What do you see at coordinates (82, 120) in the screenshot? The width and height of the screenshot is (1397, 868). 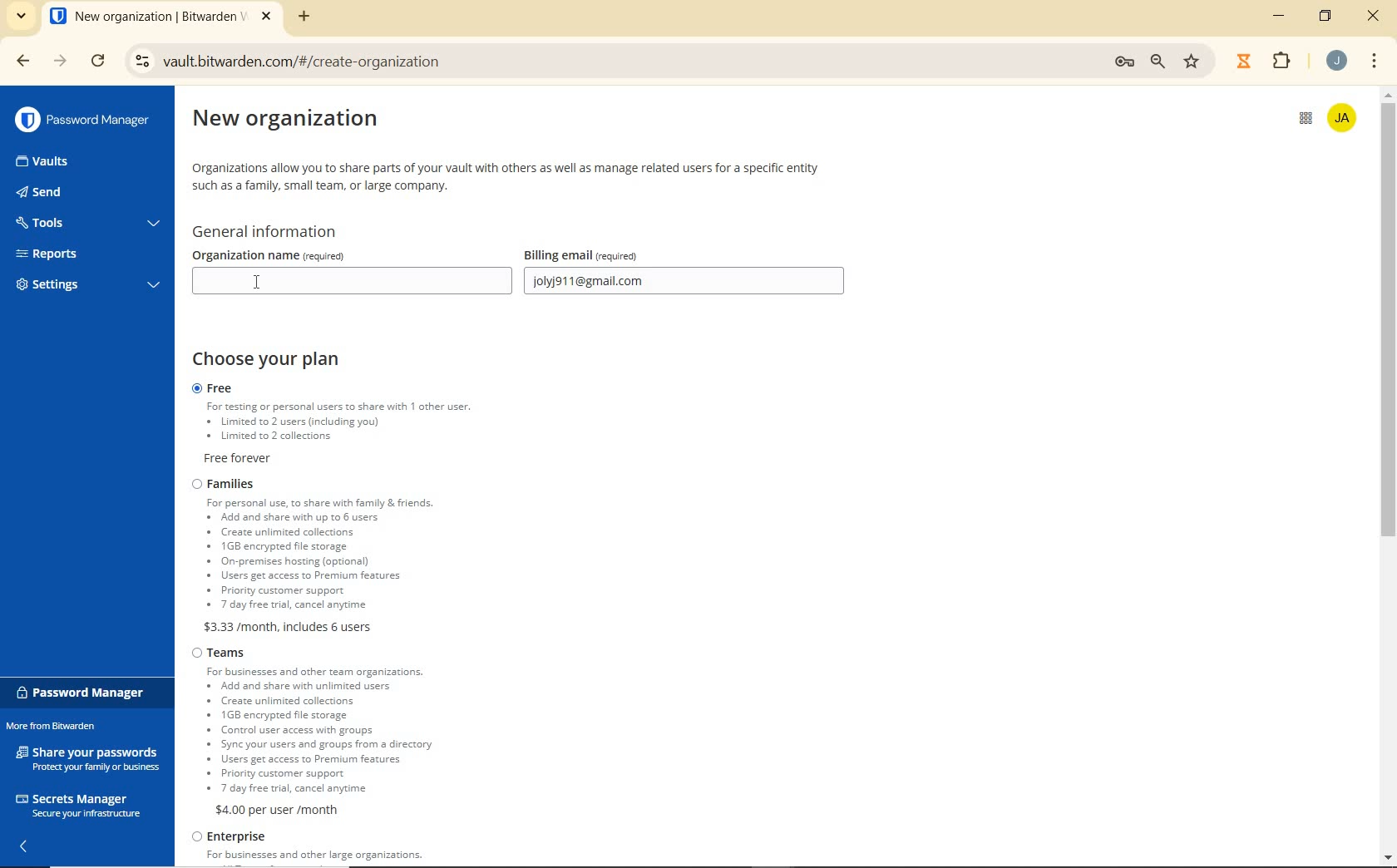 I see `password manager` at bounding box center [82, 120].